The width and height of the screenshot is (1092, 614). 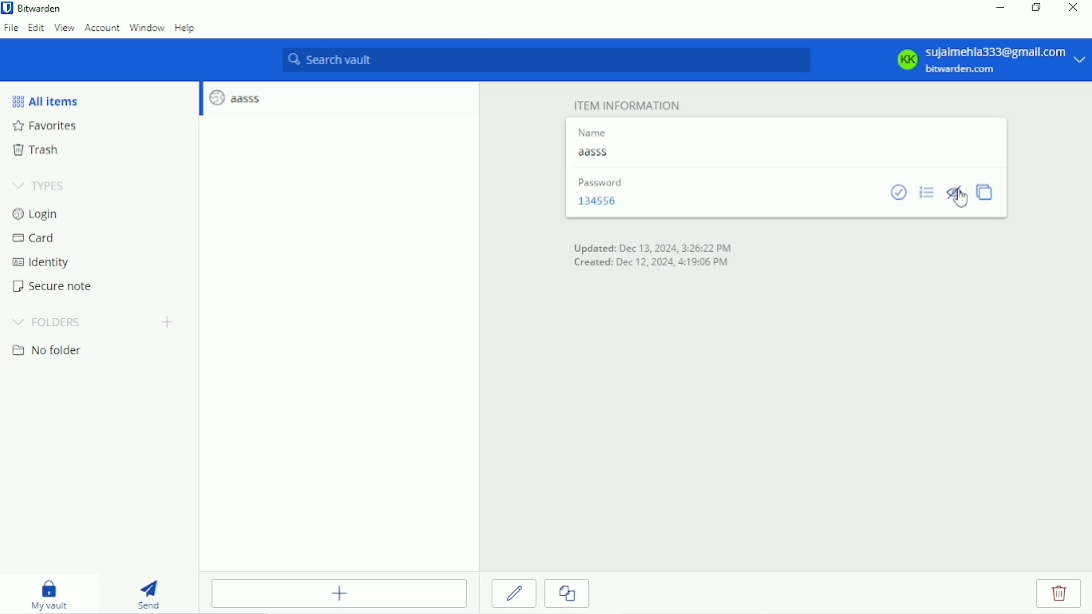 I want to click on Edit, so click(x=36, y=28).